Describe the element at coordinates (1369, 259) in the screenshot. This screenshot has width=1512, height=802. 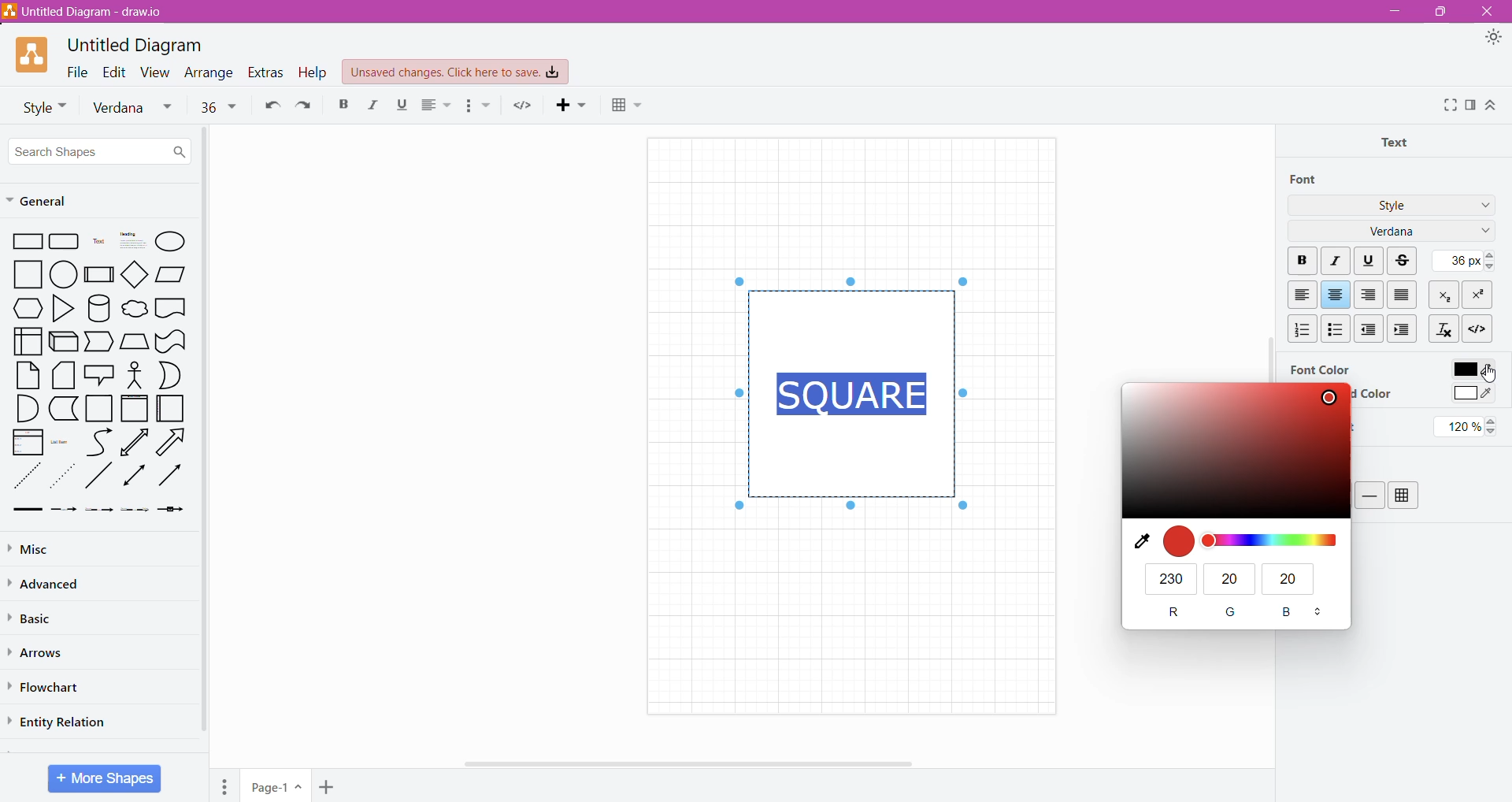
I see `Underline` at that location.